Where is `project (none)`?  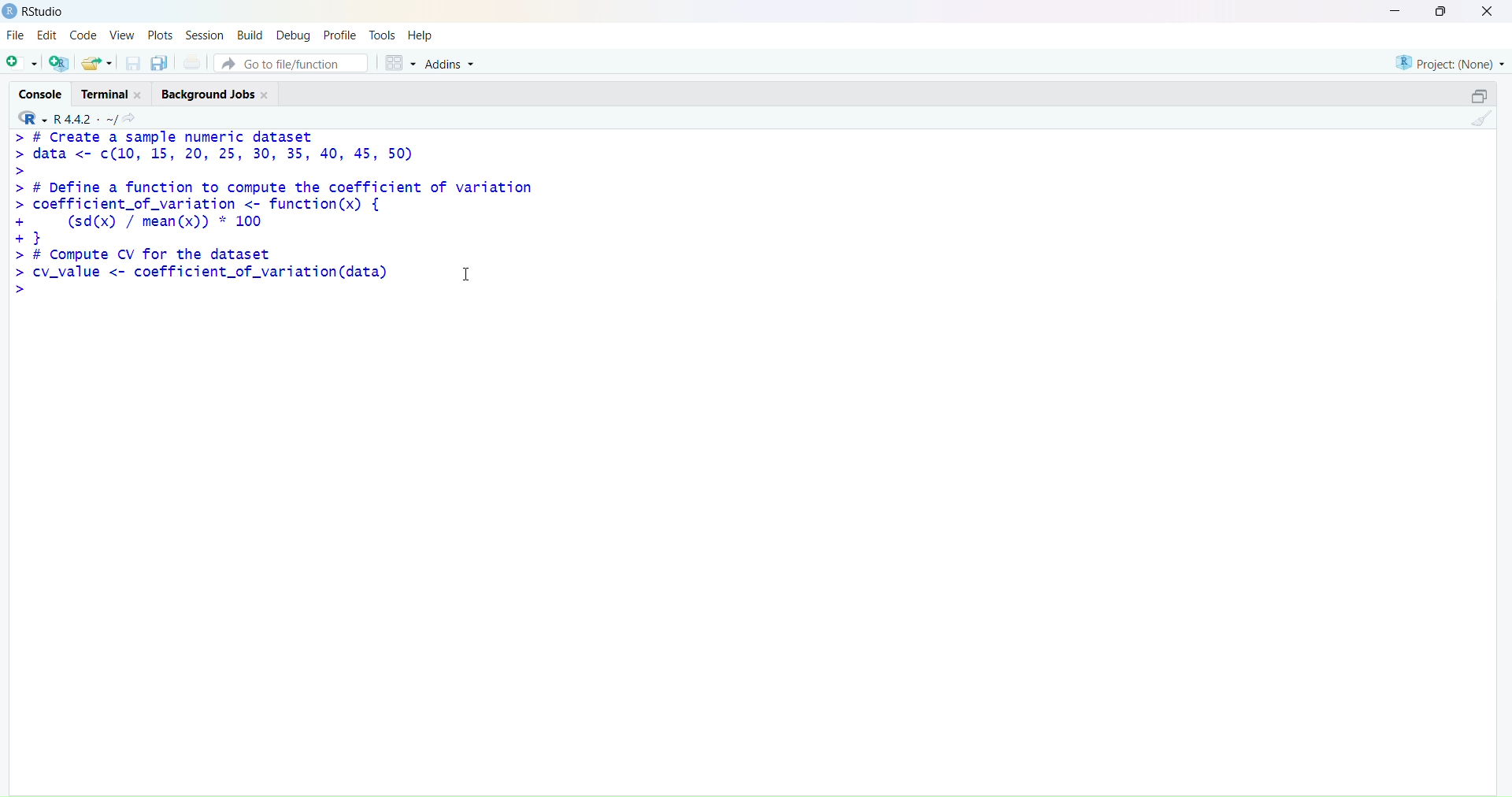
project (none) is located at coordinates (1450, 63).